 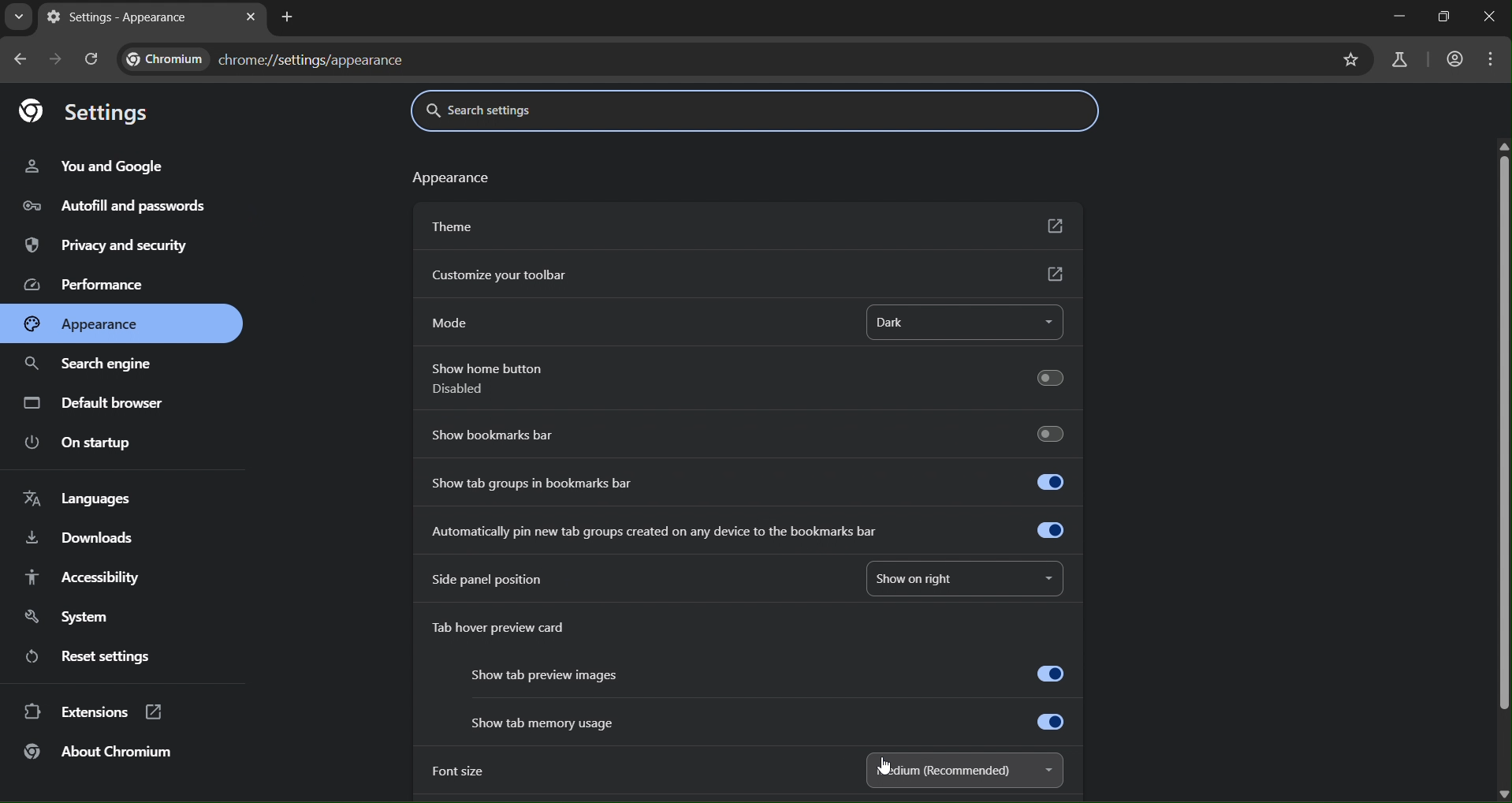 I want to click on privacy & security, so click(x=103, y=243).